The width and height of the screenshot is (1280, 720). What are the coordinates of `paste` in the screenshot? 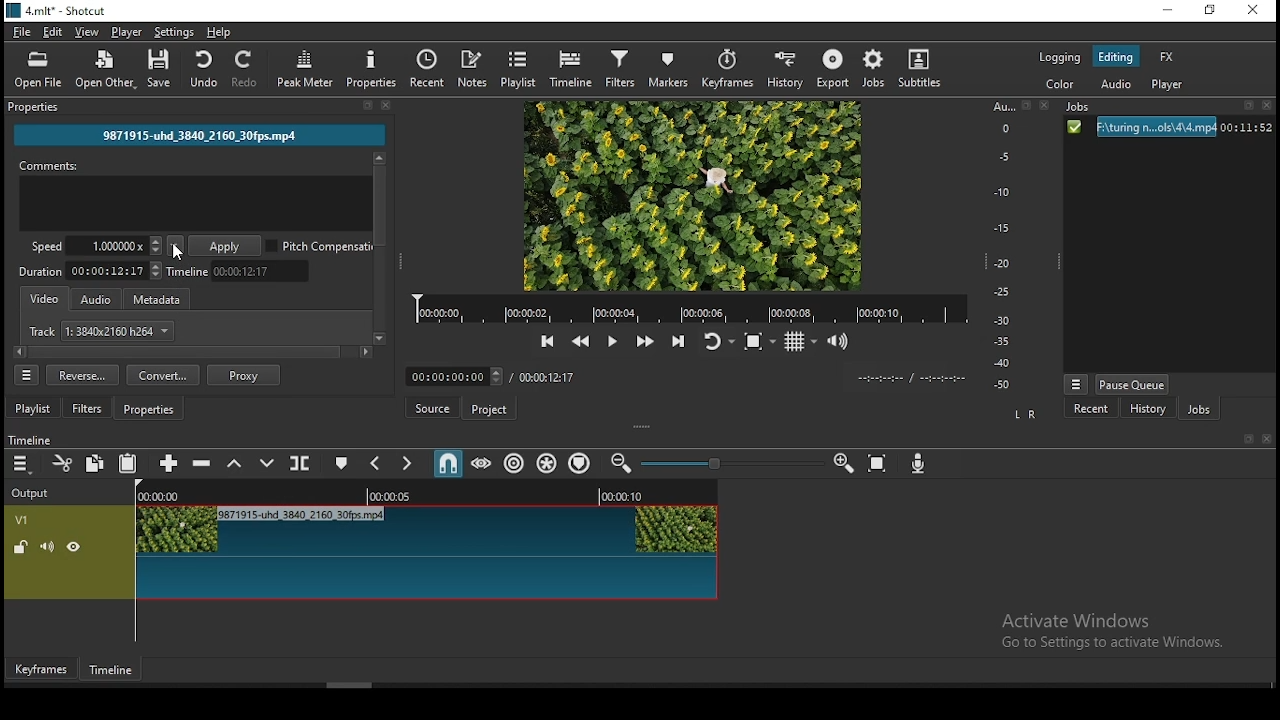 It's located at (128, 465).